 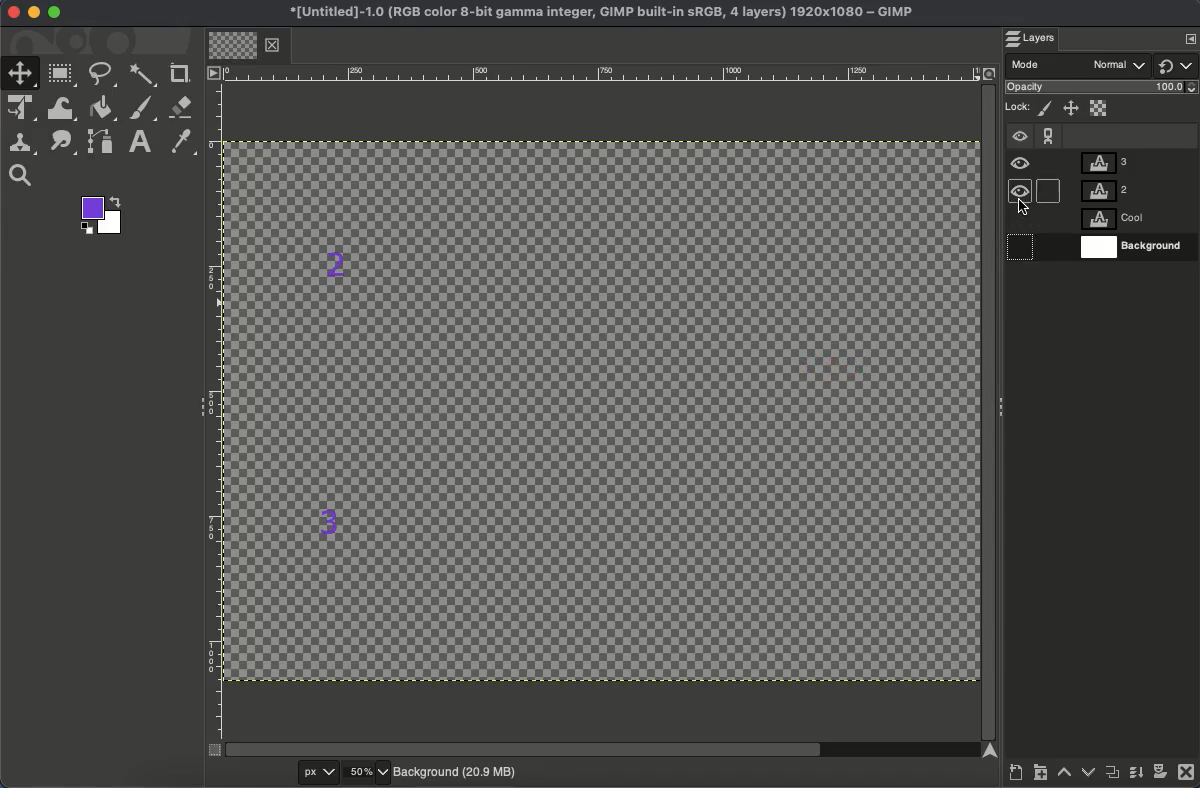 I want to click on Switch, so click(x=1177, y=65).